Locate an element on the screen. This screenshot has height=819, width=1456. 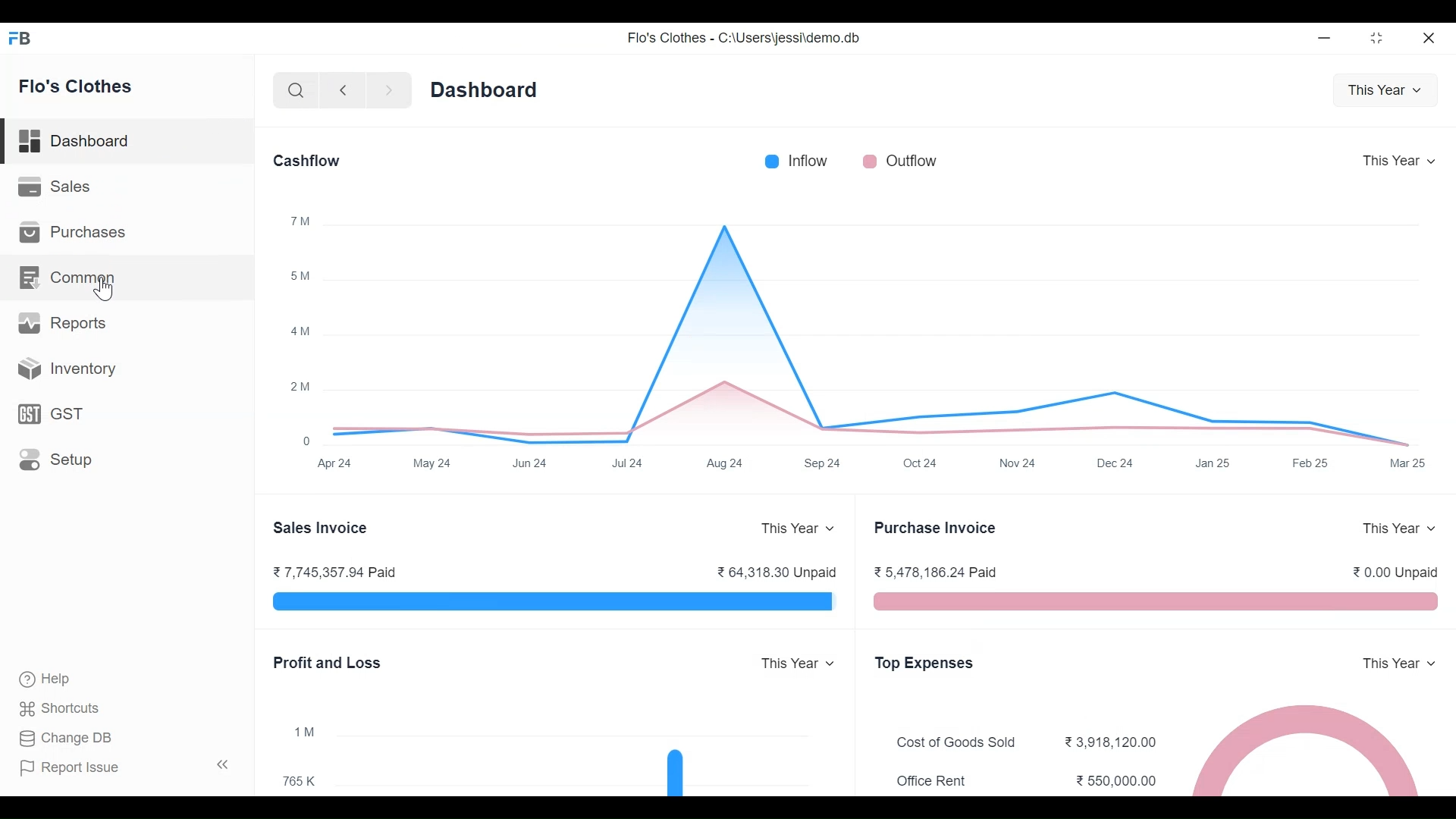
The Chart shows Flo's Clothes top five expenses sorted from the highest expenses to lowest expenses by category is located at coordinates (1306, 748).